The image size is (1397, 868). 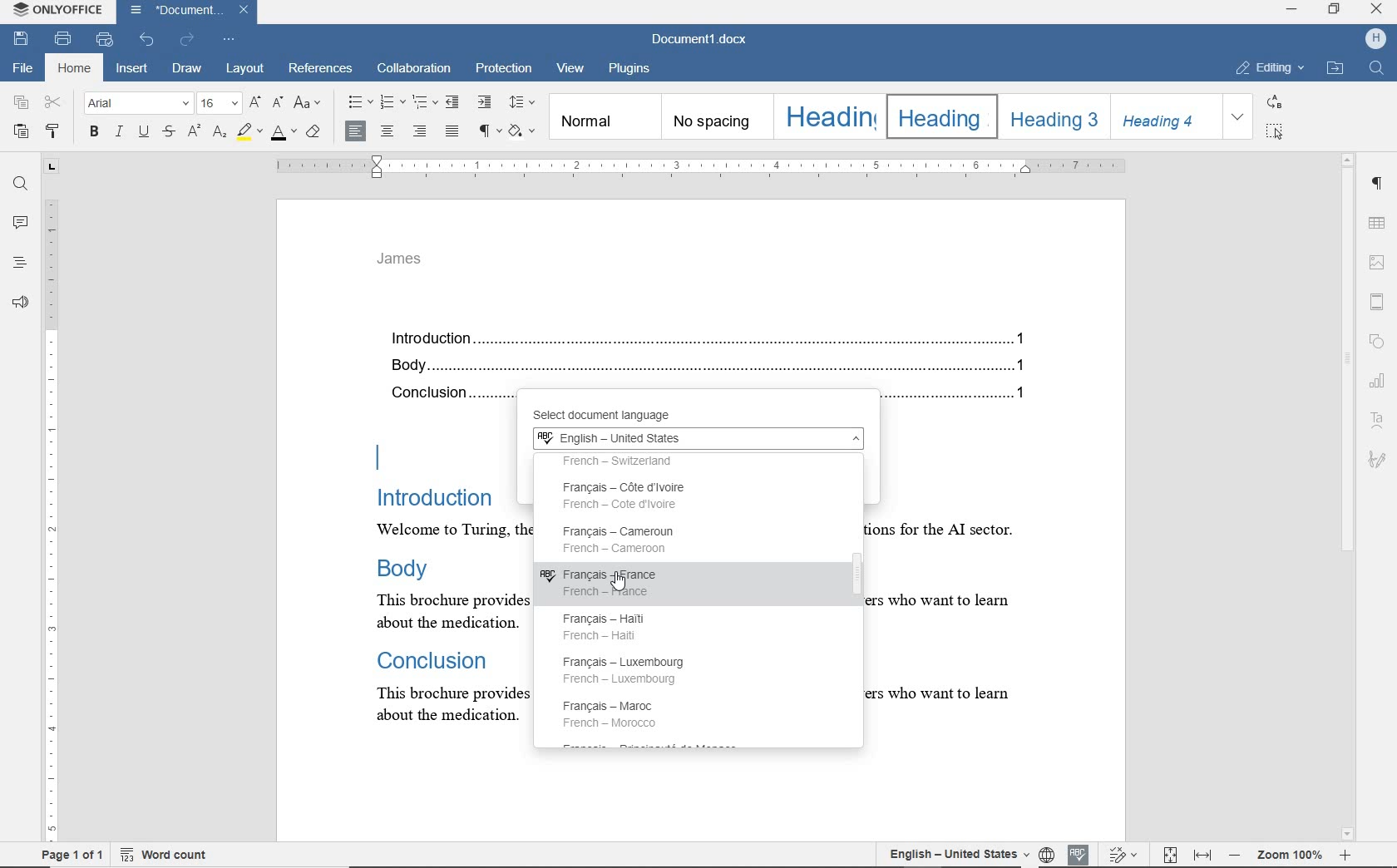 I want to click on Heading 3, so click(x=1051, y=116).